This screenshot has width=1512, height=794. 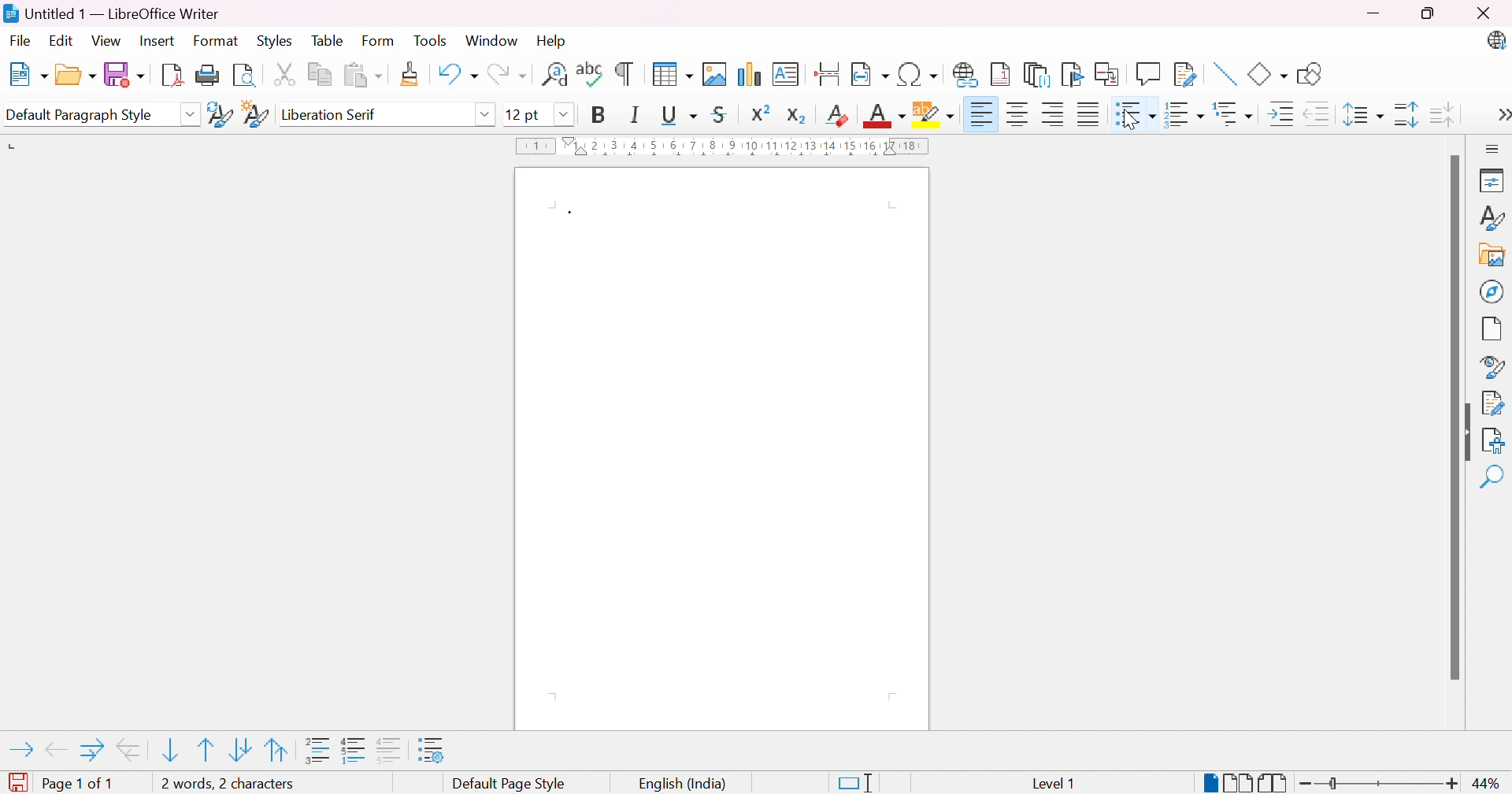 What do you see at coordinates (239, 749) in the screenshot?
I see `Move item down with subpoints` at bounding box center [239, 749].